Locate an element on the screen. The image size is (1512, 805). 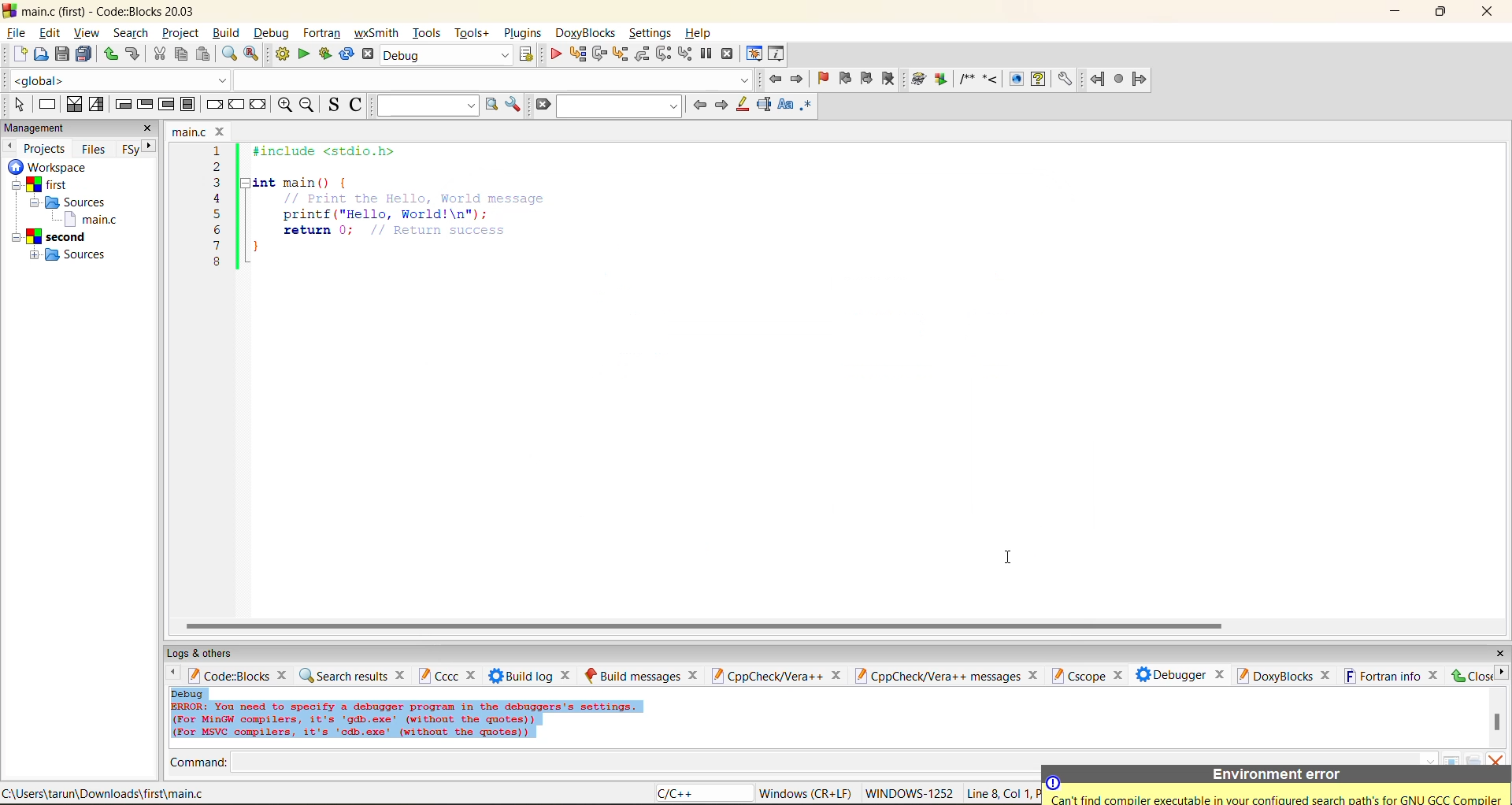
cccc is located at coordinates (438, 675).